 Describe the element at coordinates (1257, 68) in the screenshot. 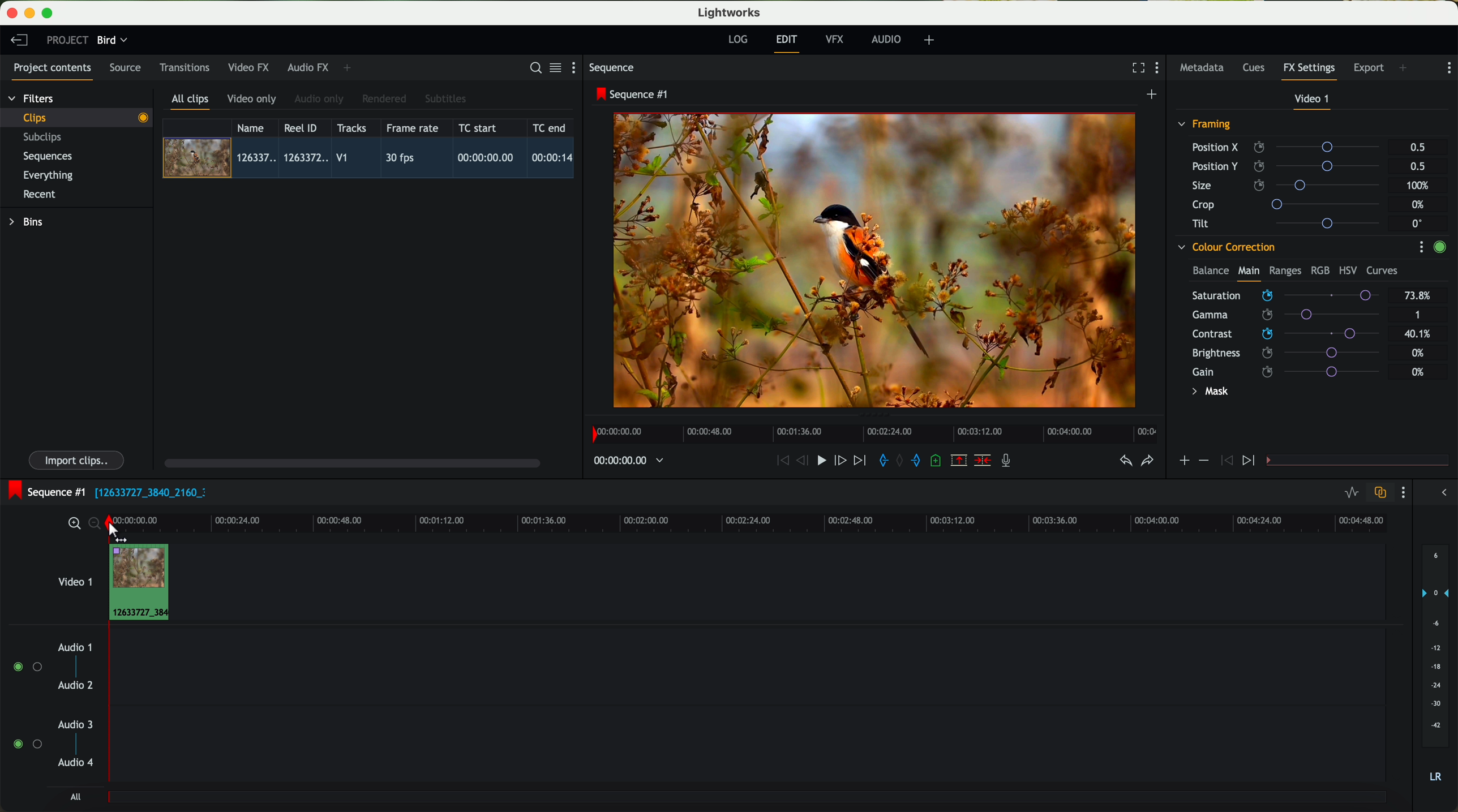

I see `cues` at that location.